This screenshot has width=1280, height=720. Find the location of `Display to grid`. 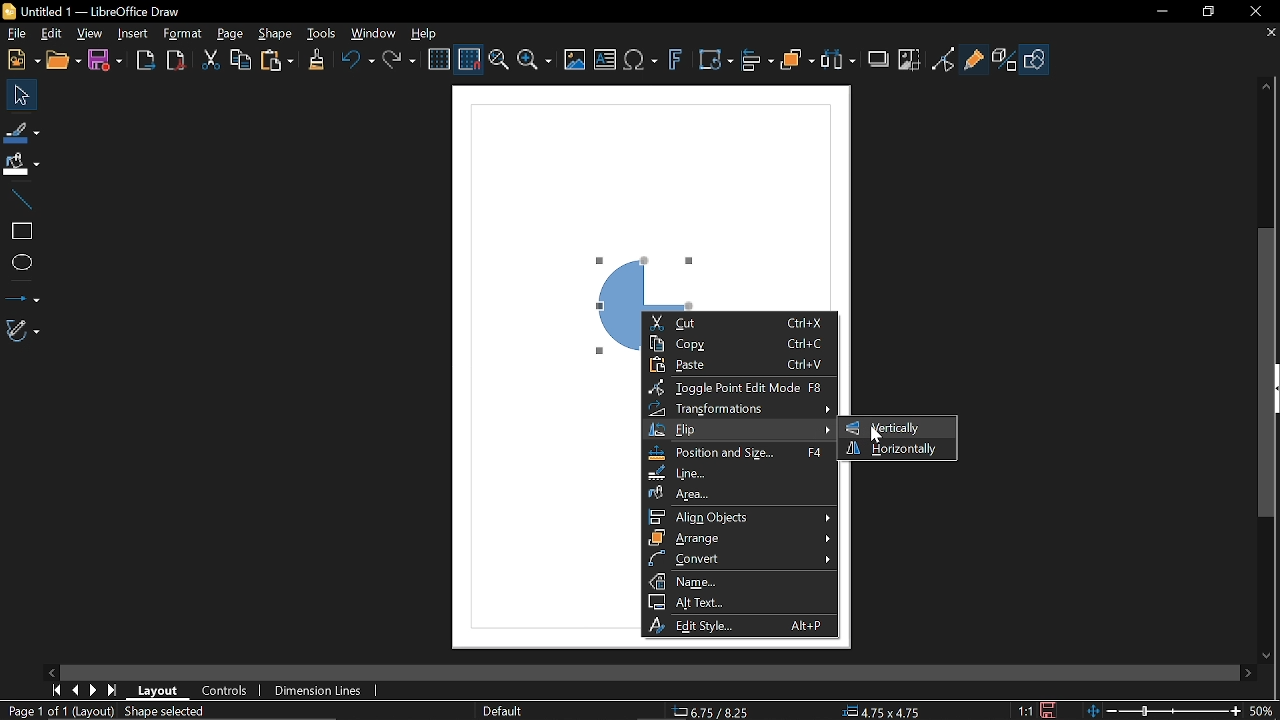

Display to grid is located at coordinates (470, 58).